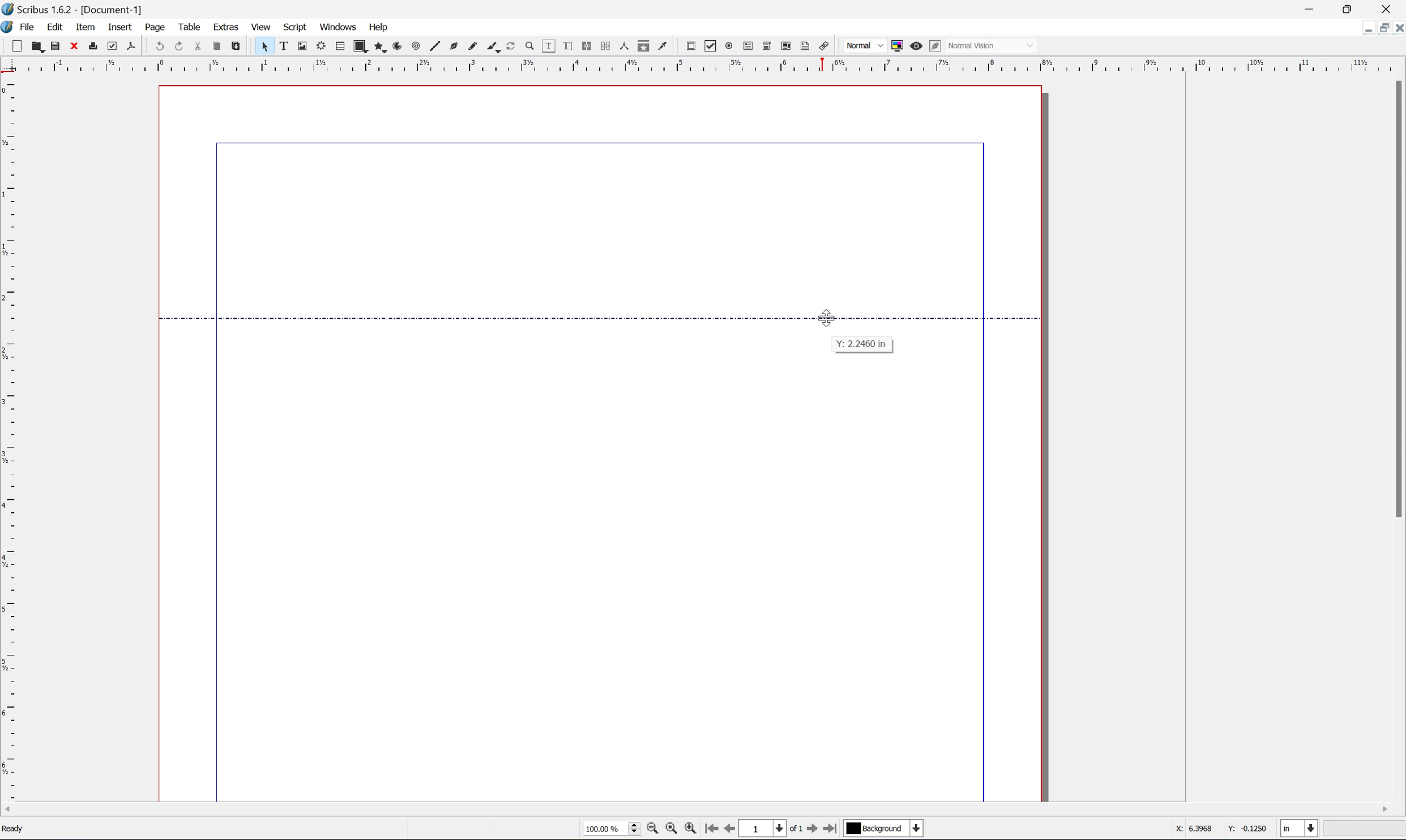 This screenshot has width=1406, height=840. Describe the element at coordinates (148, 26) in the screenshot. I see `page` at that location.